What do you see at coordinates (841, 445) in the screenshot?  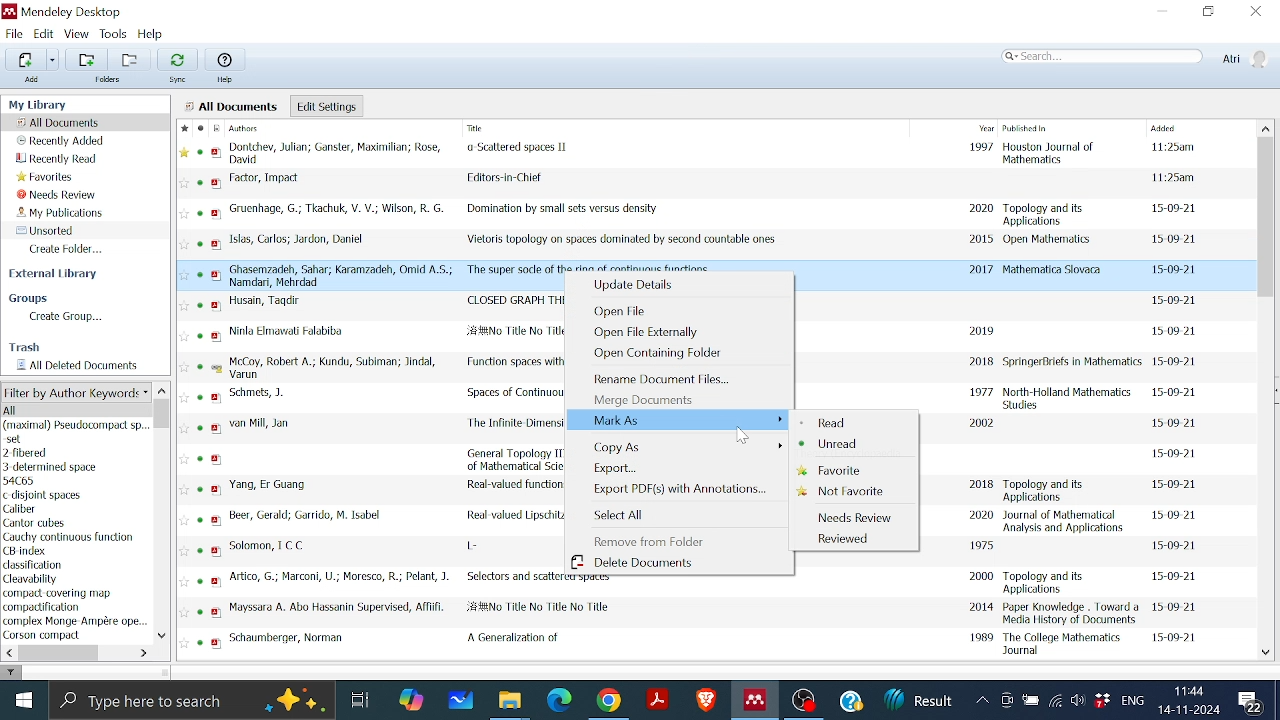 I see `Unread` at bounding box center [841, 445].